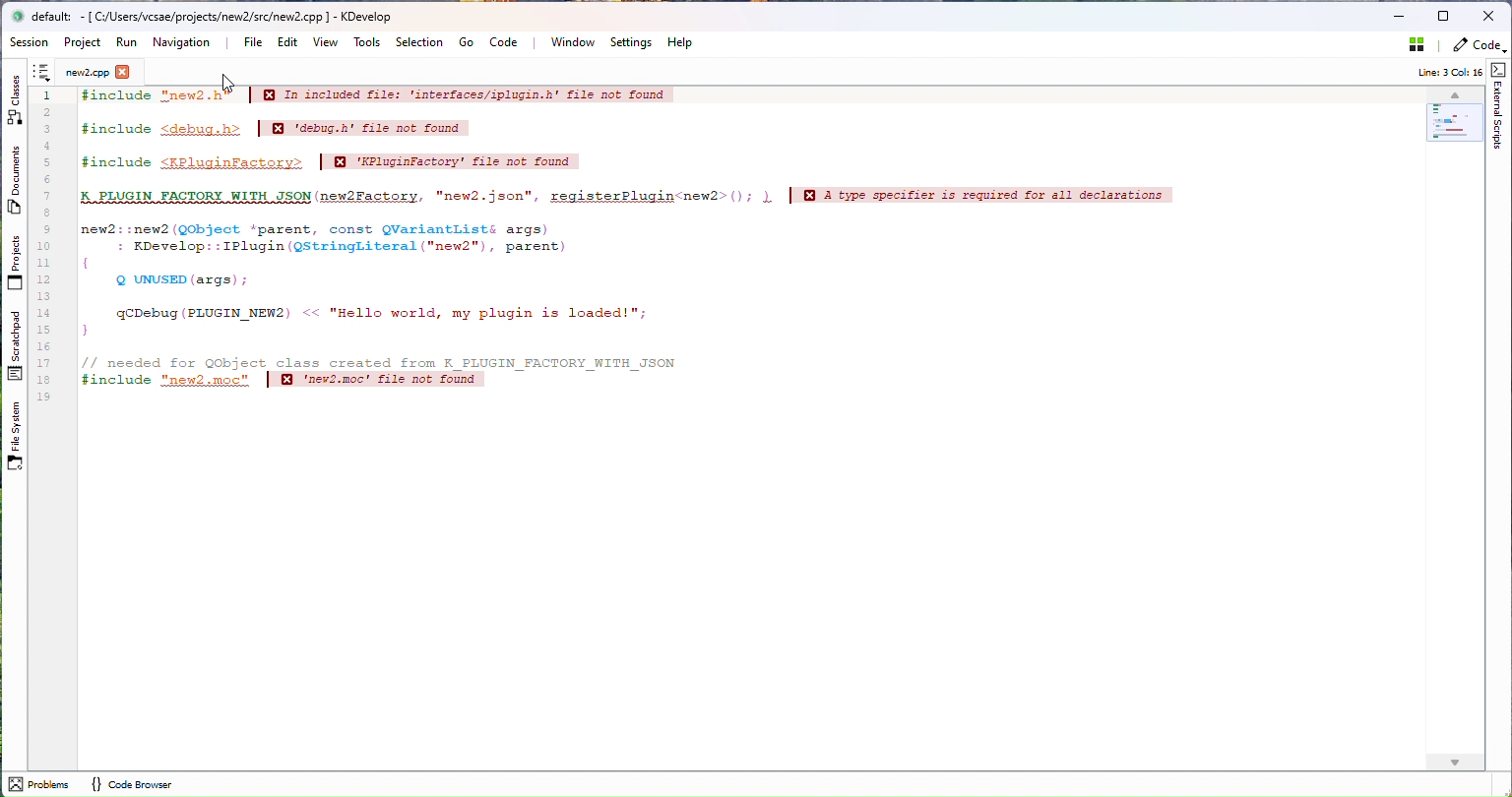  I want to click on code browser, so click(154, 785).